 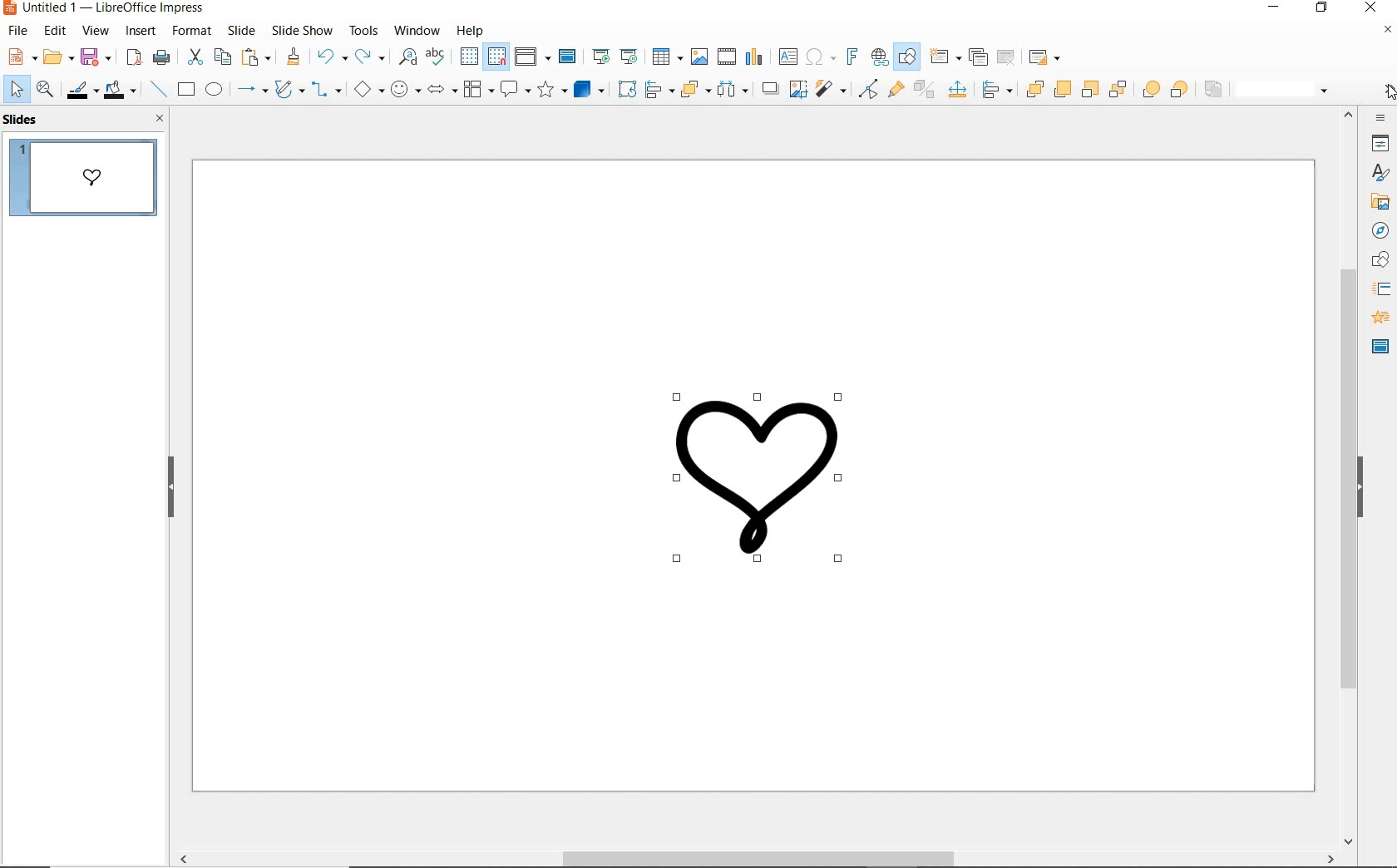 I want to click on arrange, so click(x=693, y=90).